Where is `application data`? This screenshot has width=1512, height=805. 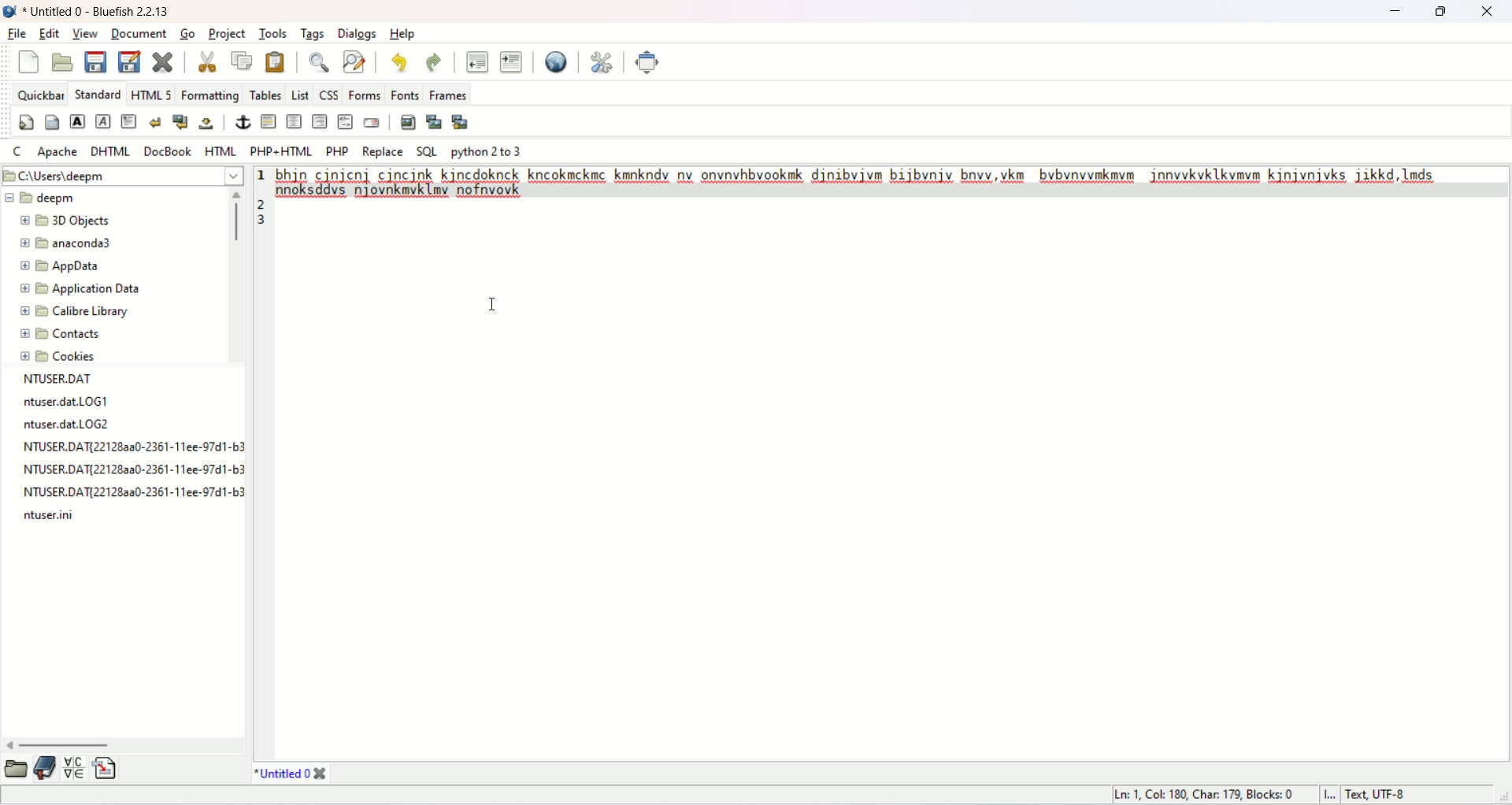
application data is located at coordinates (80, 288).